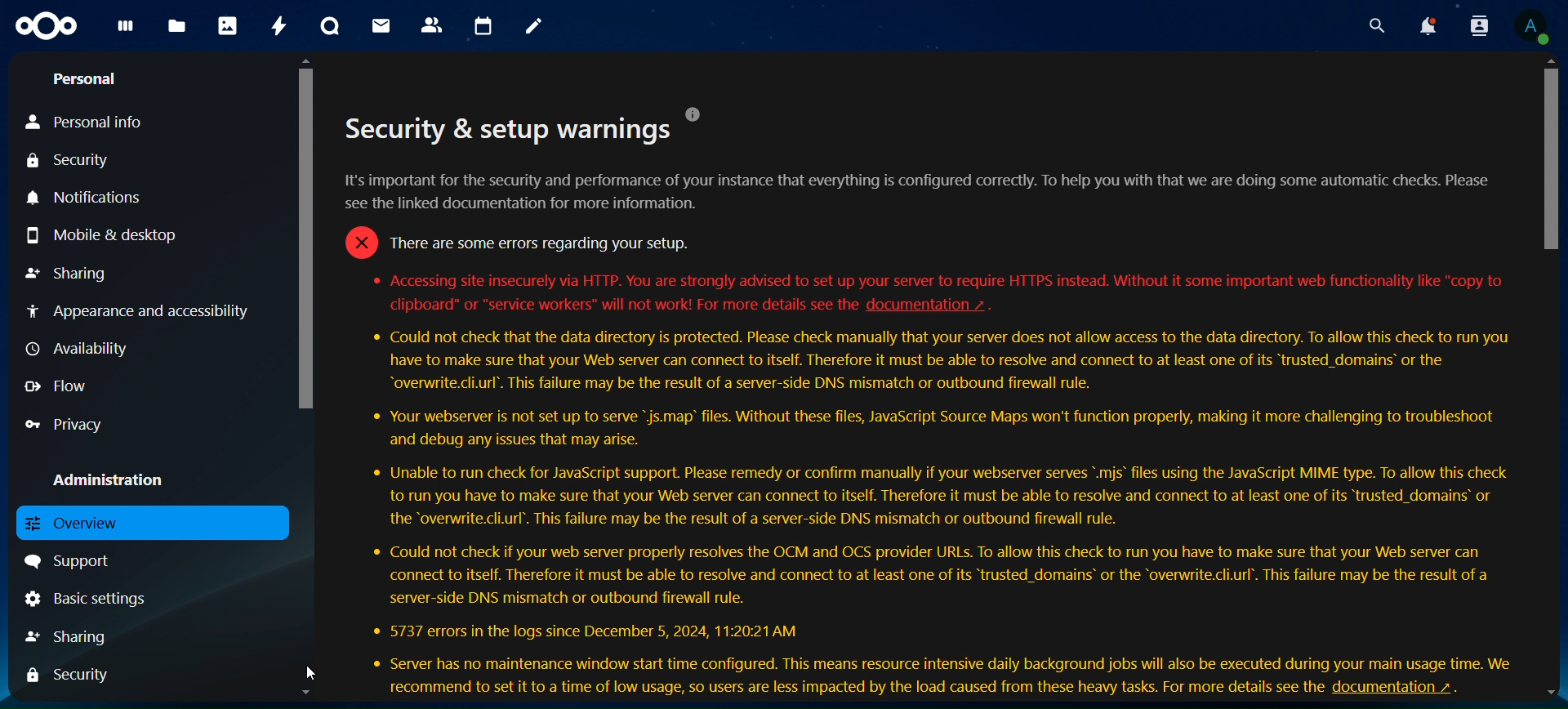 Image resolution: width=1568 pixels, height=709 pixels. What do you see at coordinates (385, 27) in the screenshot?
I see `mail` at bounding box center [385, 27].